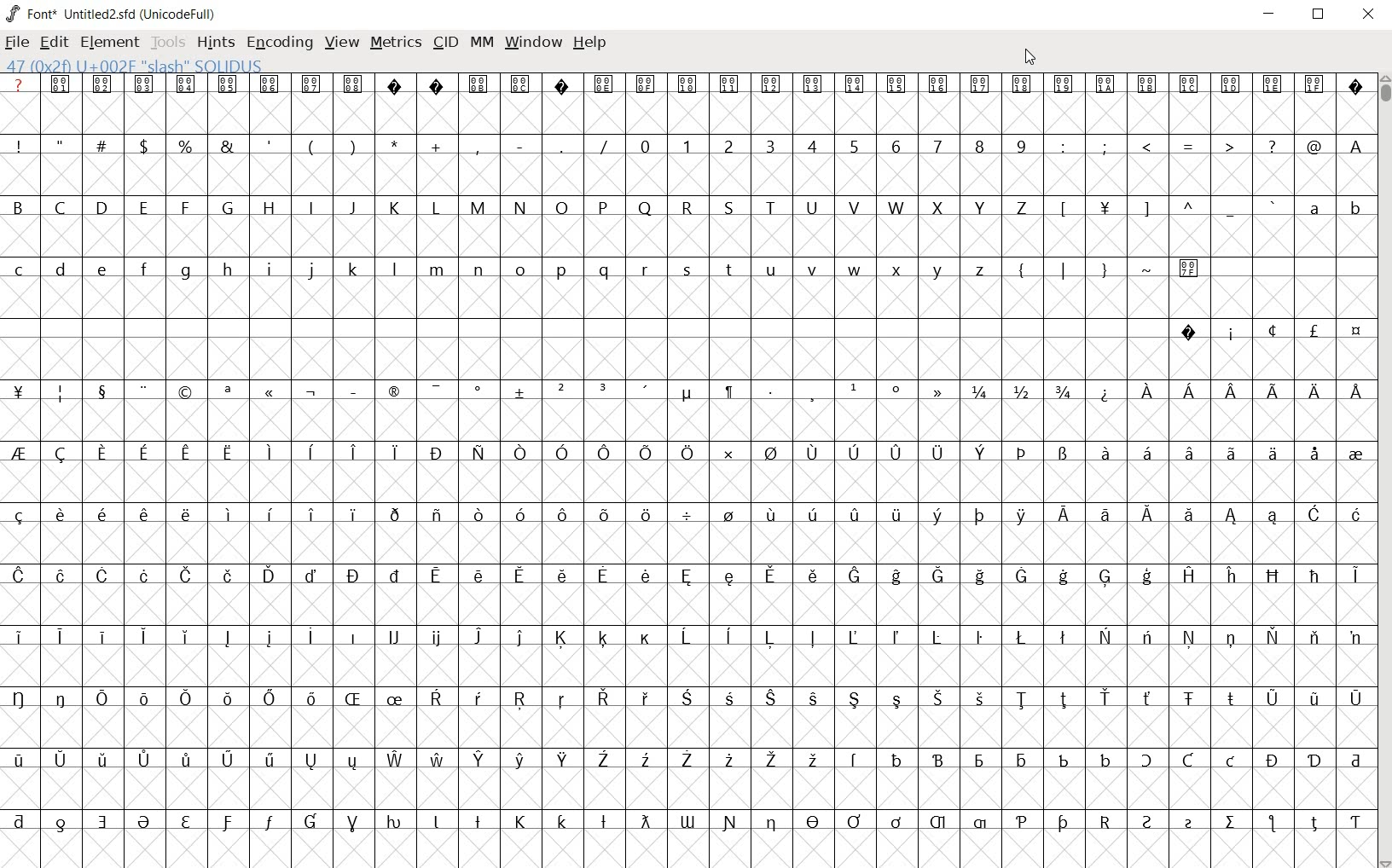 This screenshot has width=1392, height=868. I want to click on empty cells, so click(695, 420).